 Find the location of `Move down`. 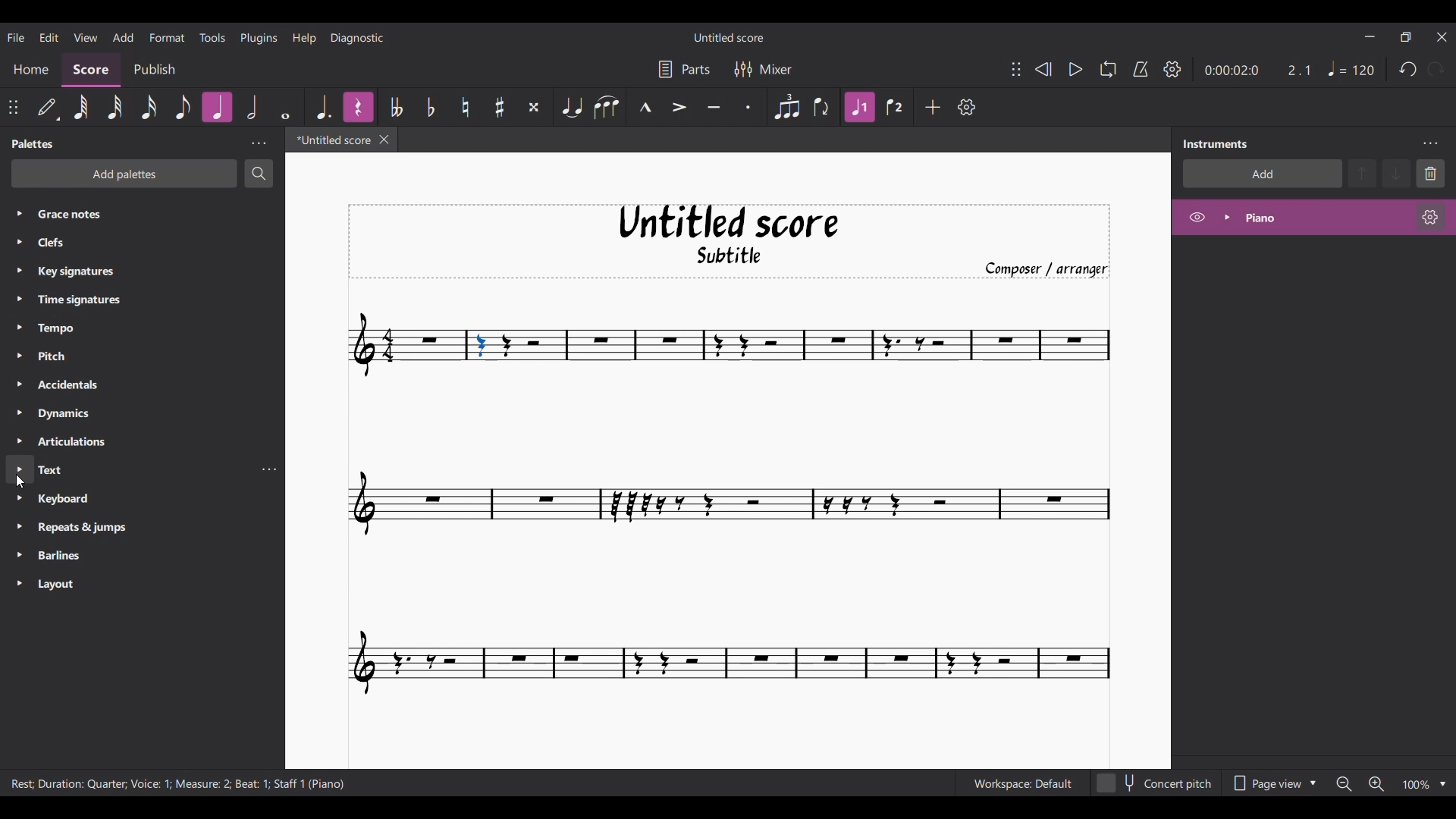

Move down is located at coordinates (1396, 173).